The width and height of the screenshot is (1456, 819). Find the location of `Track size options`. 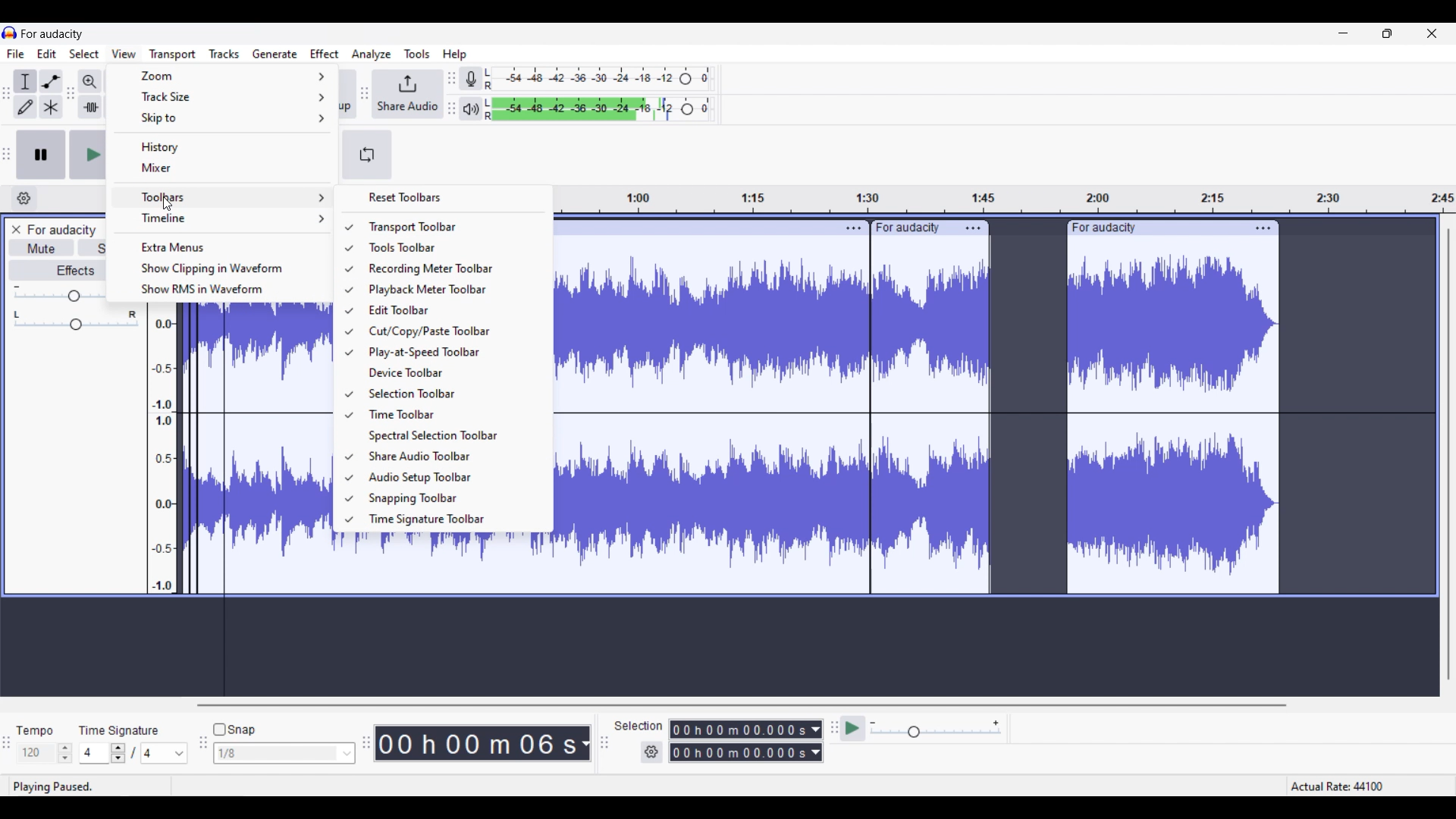

Track size options is located at coordinates (221, 96).